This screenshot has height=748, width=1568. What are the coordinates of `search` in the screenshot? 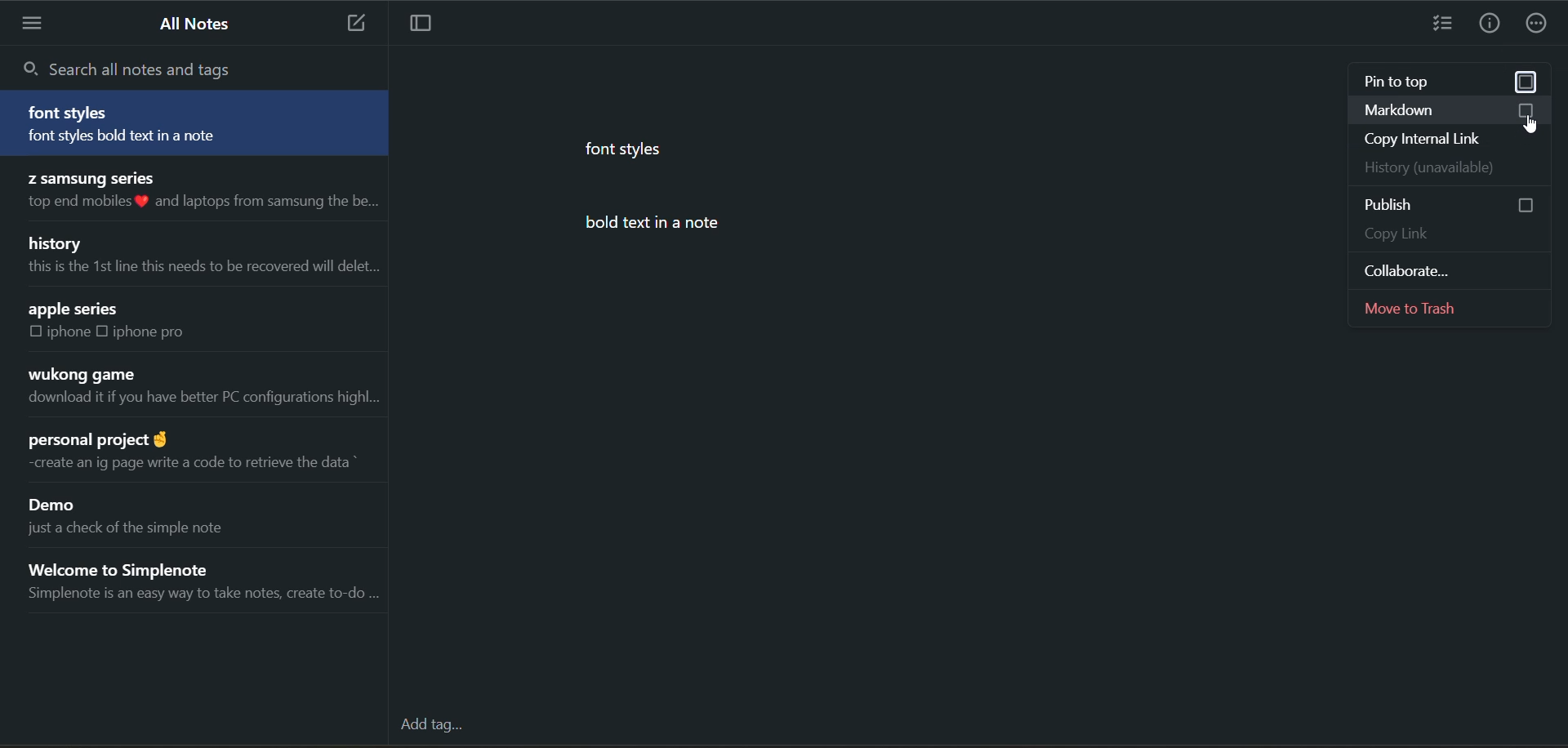 It's located at (136, 68).